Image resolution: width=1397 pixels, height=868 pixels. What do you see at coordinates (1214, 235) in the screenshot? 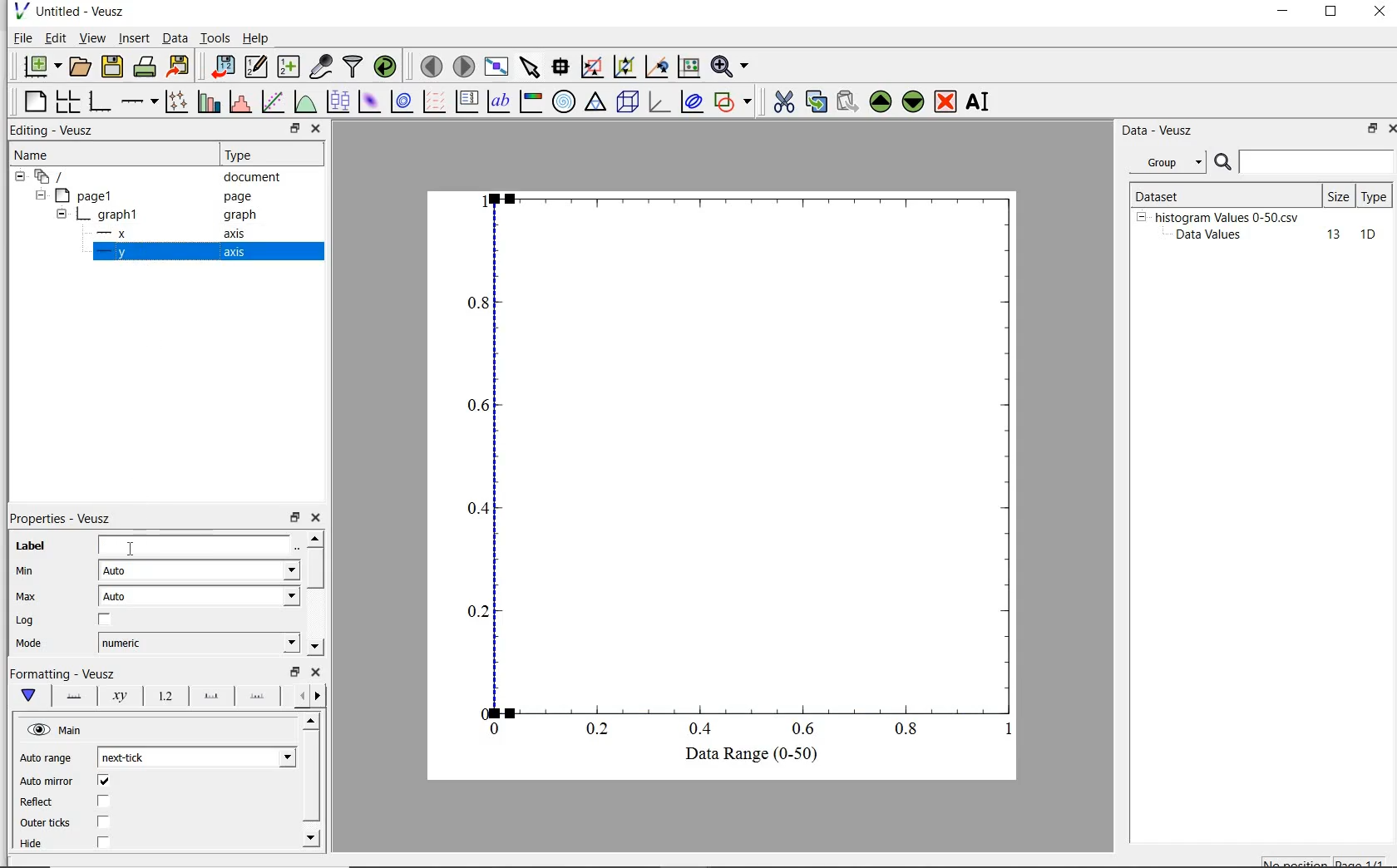
I see `Data Values` at bounding box center [1214, 235].